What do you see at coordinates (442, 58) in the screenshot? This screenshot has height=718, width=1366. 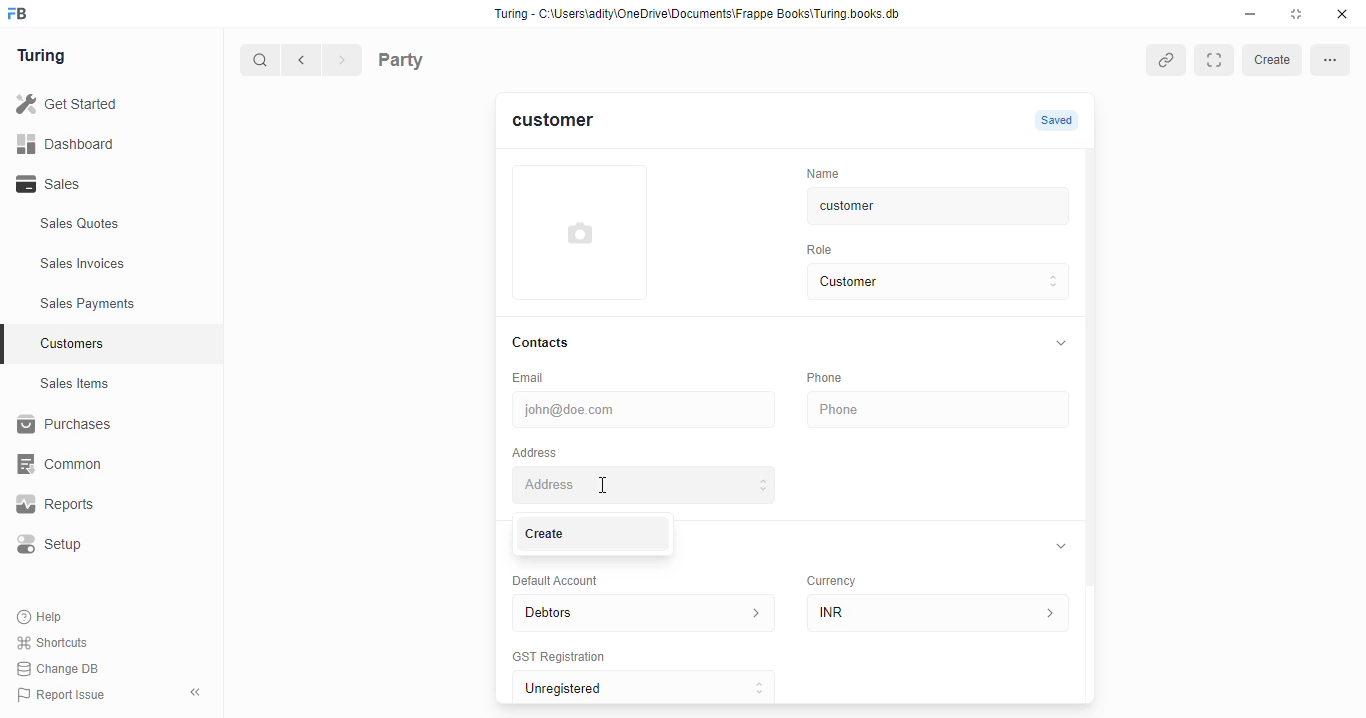 I see `Party` at bounding box center [442, 58].